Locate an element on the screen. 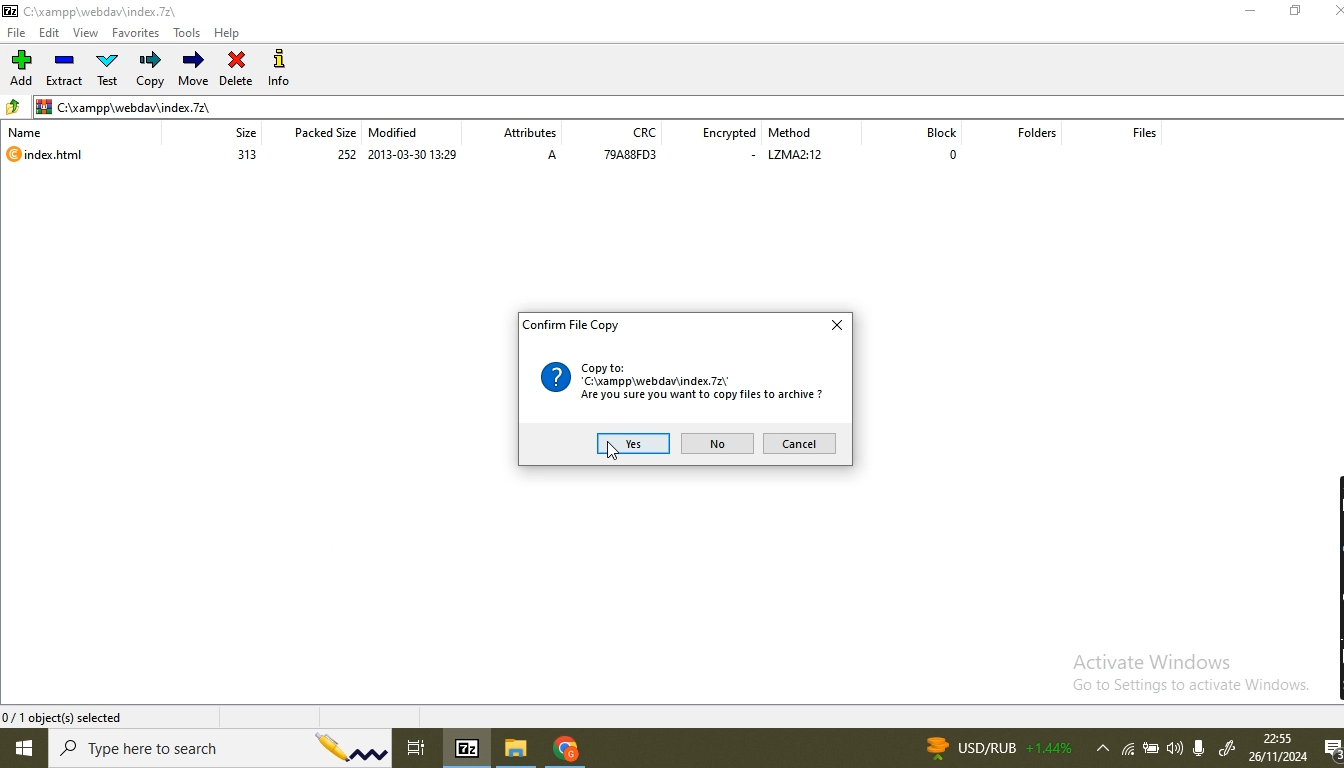 This screenshot has width=1344, height=768. extract is located at coordinates (66, 70).